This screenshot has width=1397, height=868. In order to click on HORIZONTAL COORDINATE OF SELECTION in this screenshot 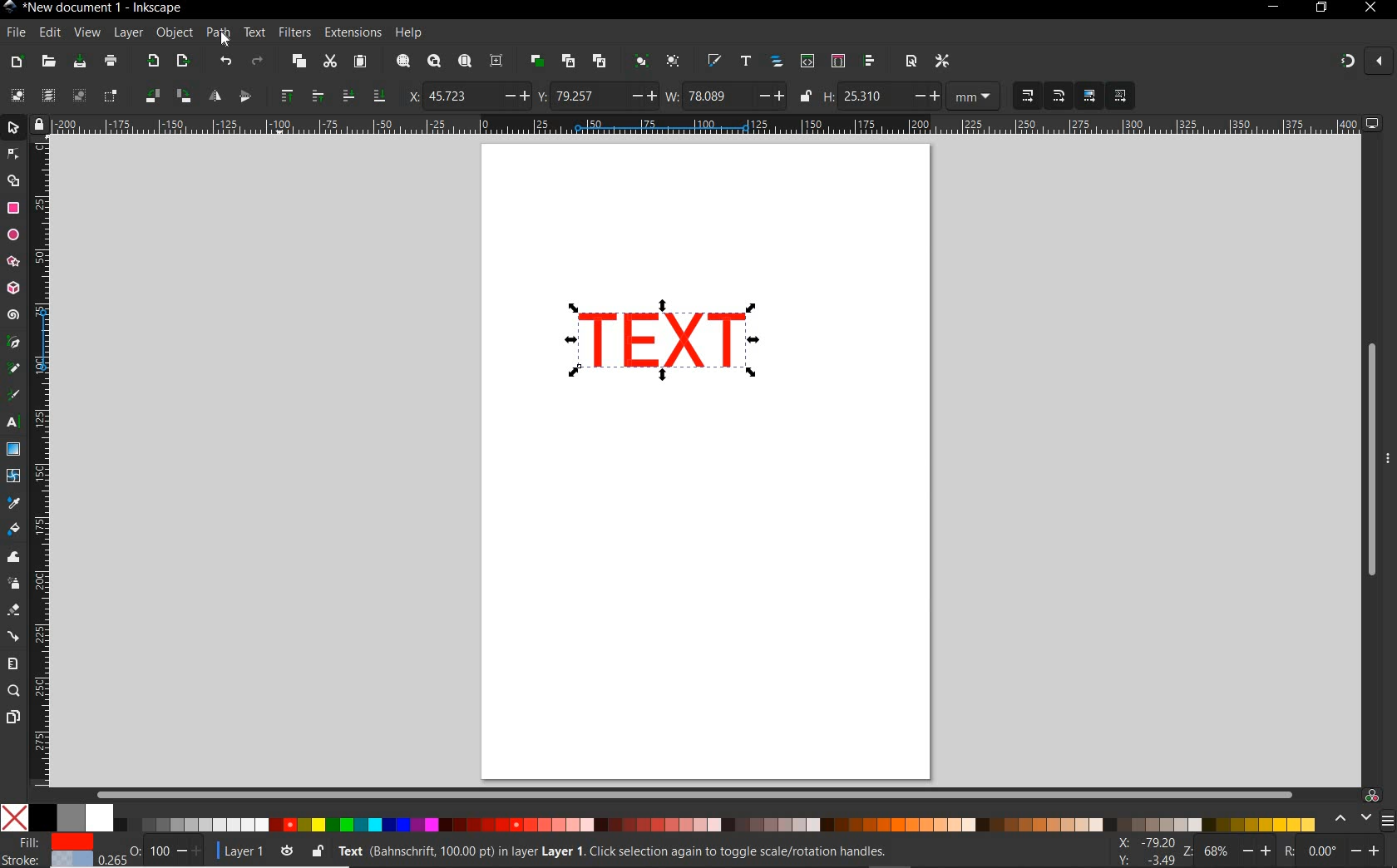, I will do `click(469, 96)`.